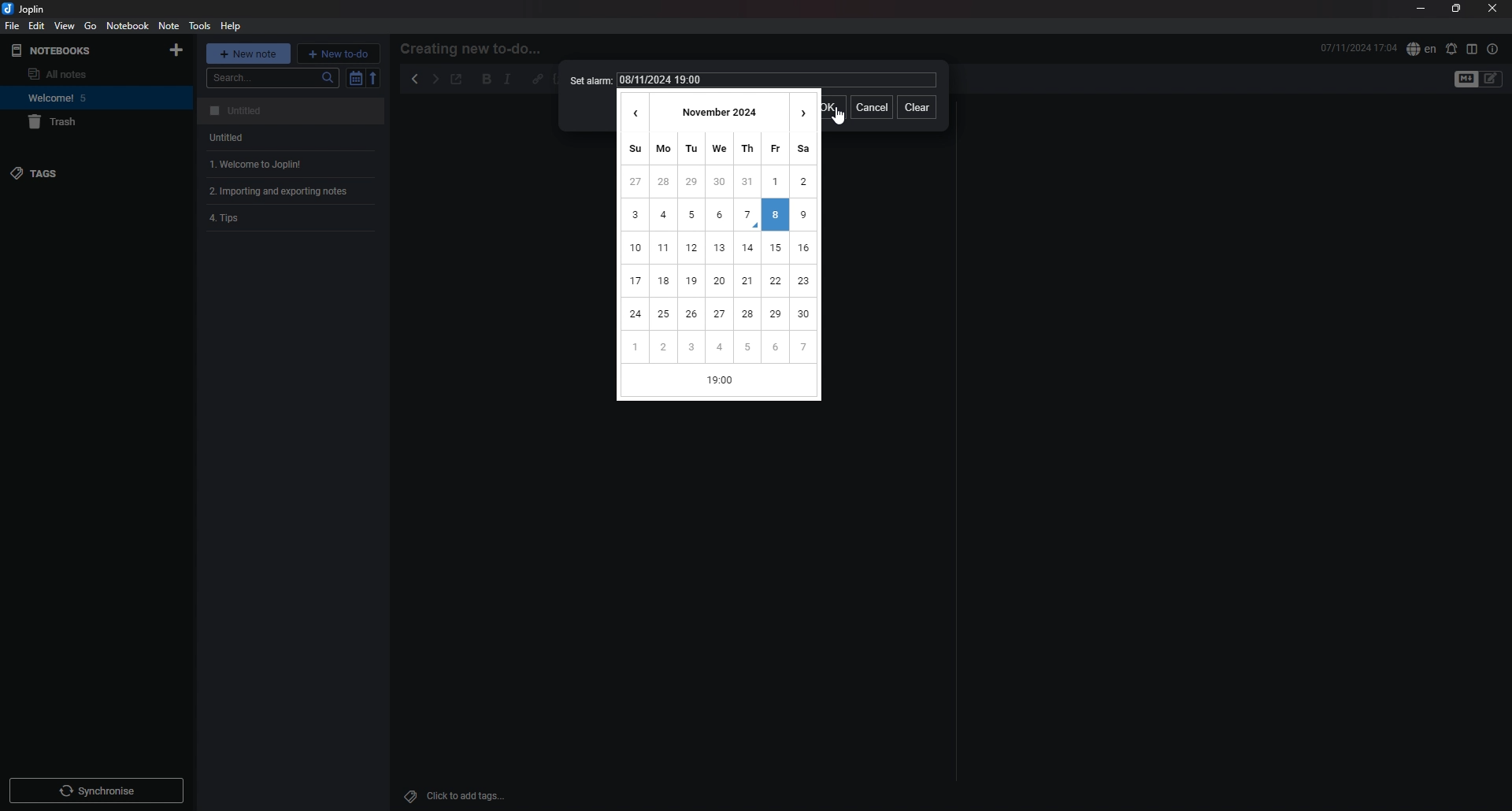  I want to click on trash, so click(87, 122).